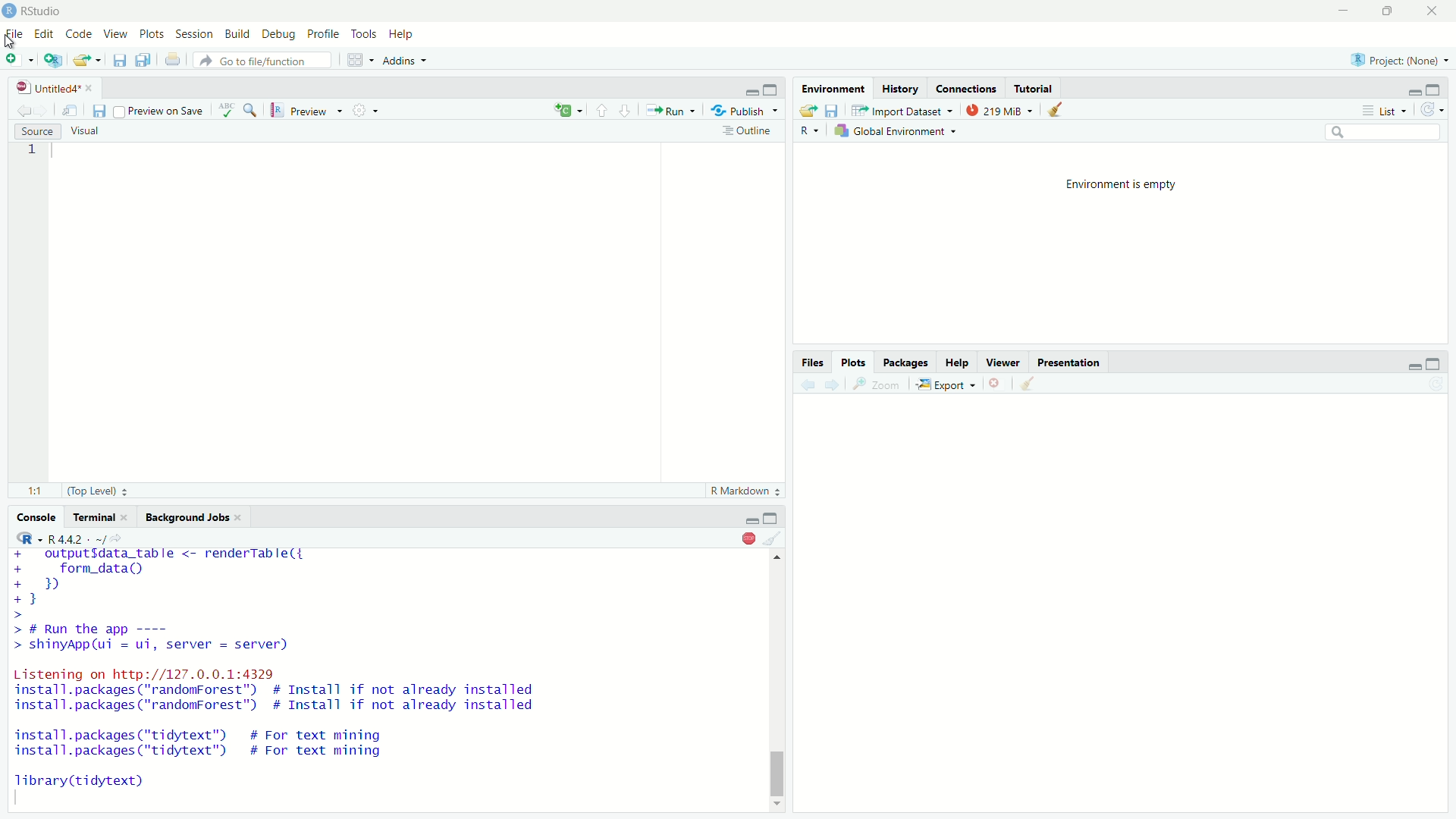  Describe the element at coordinates (116, 34) in the screenshot. I see `View` at that location.